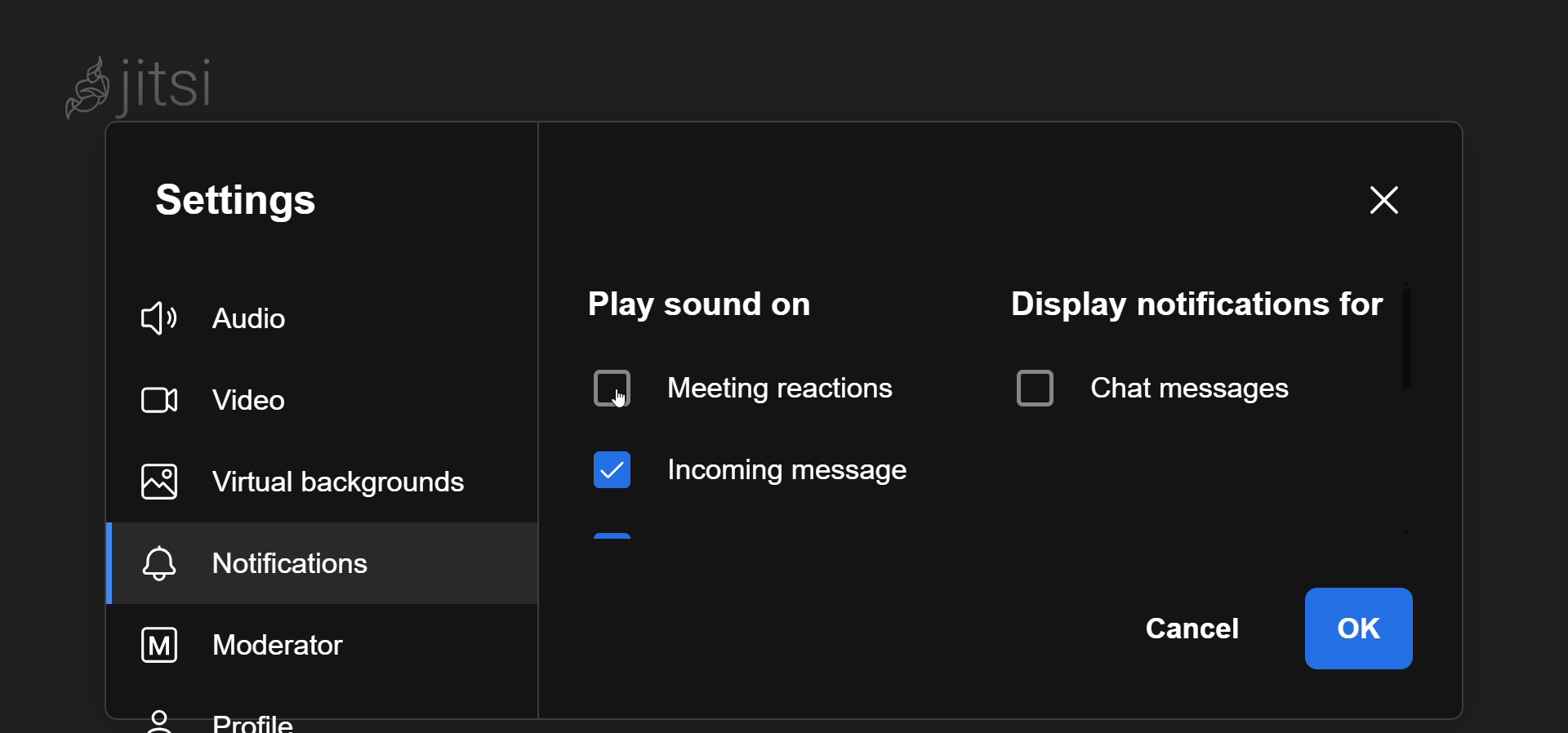  What do you see at coordinates (1195, 308) in the screenshot?
I see `display notification for` at bounding box center [1195, 308].